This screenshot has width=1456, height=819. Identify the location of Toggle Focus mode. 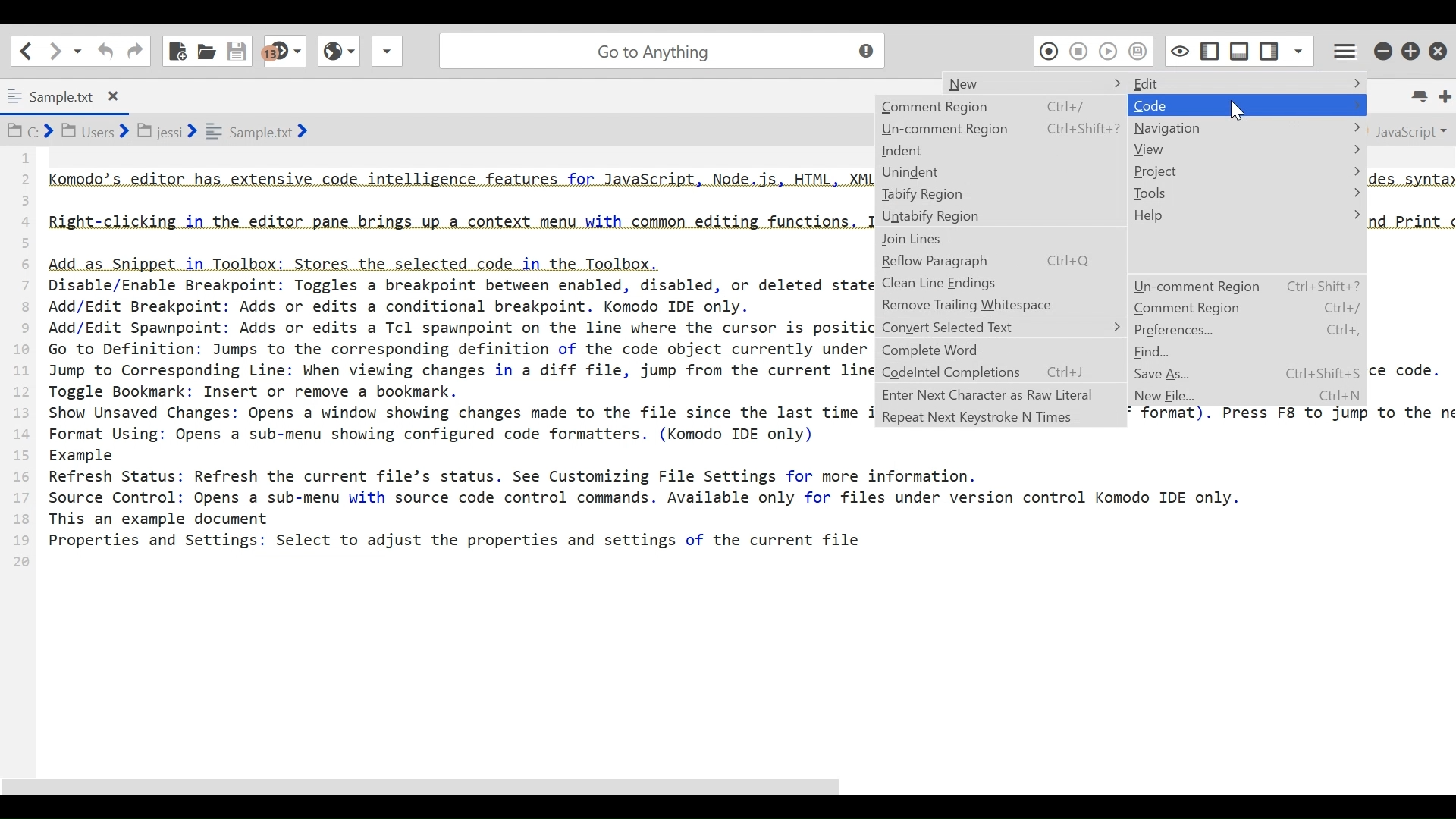
(1178, 50).